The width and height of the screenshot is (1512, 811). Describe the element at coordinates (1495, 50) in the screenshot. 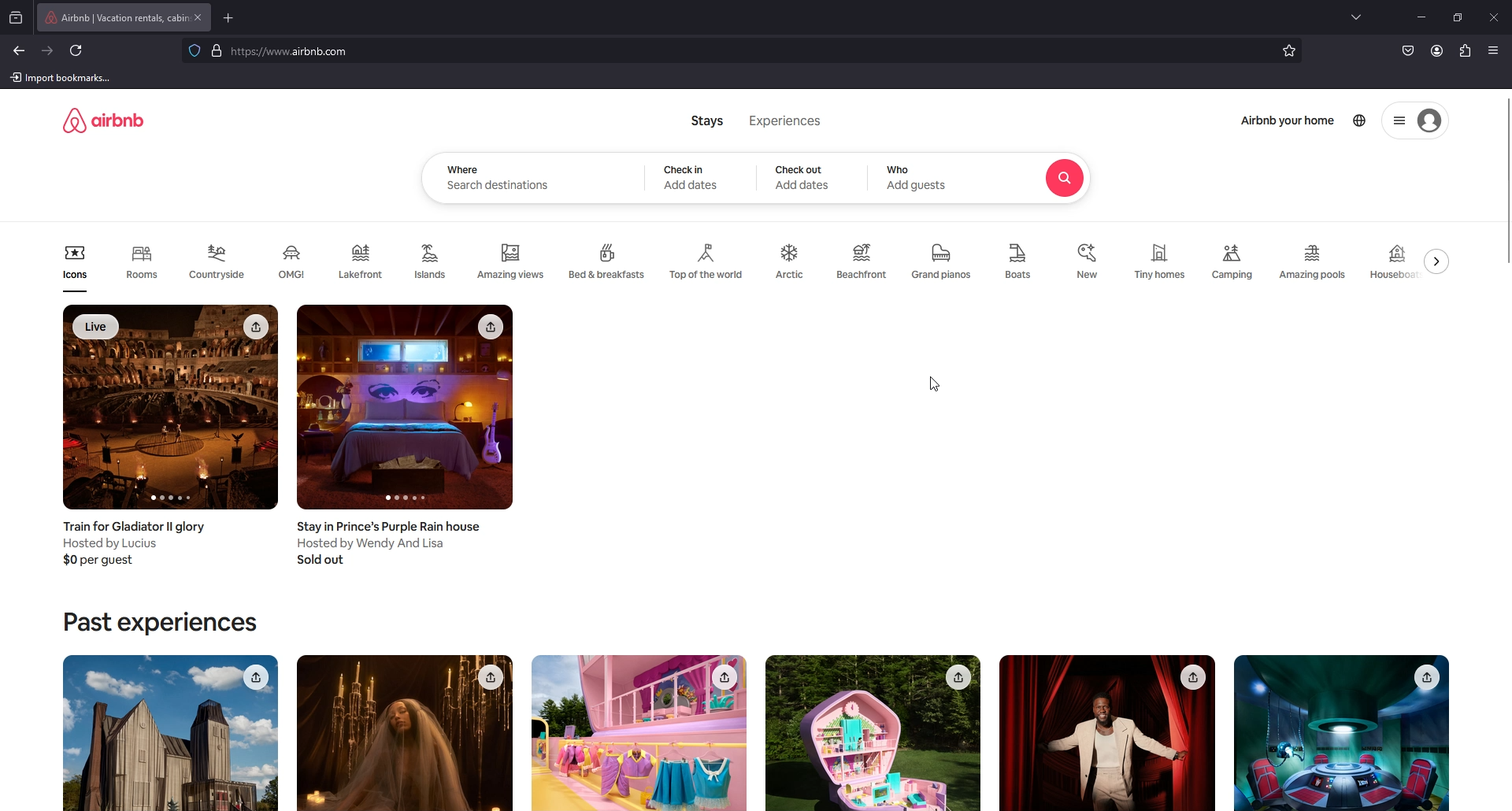

I see `application menu` at that location.